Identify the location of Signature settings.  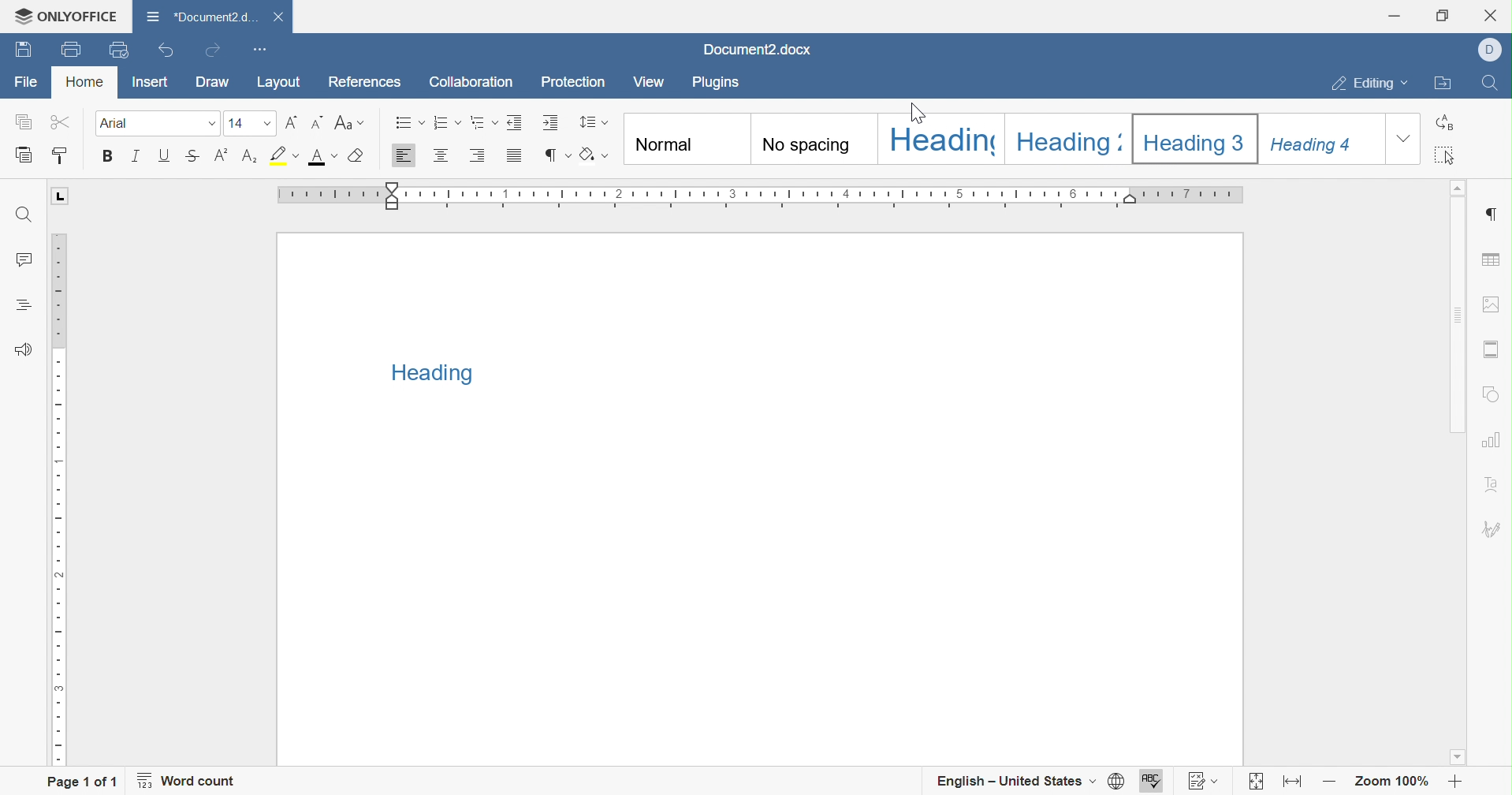
(1495, 528).